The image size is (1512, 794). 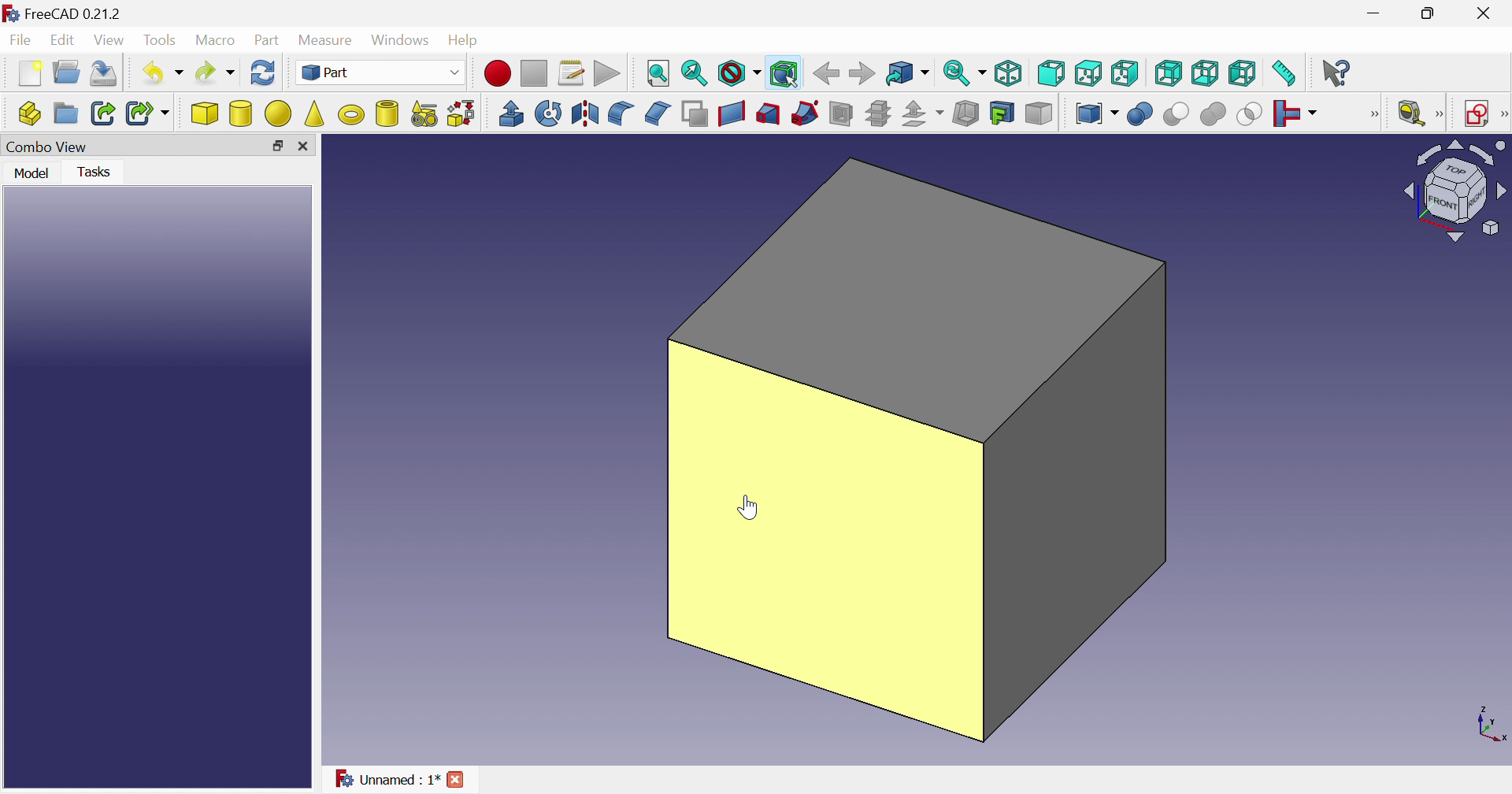 I want to click on Execute macro, so click(x=607, y=74).